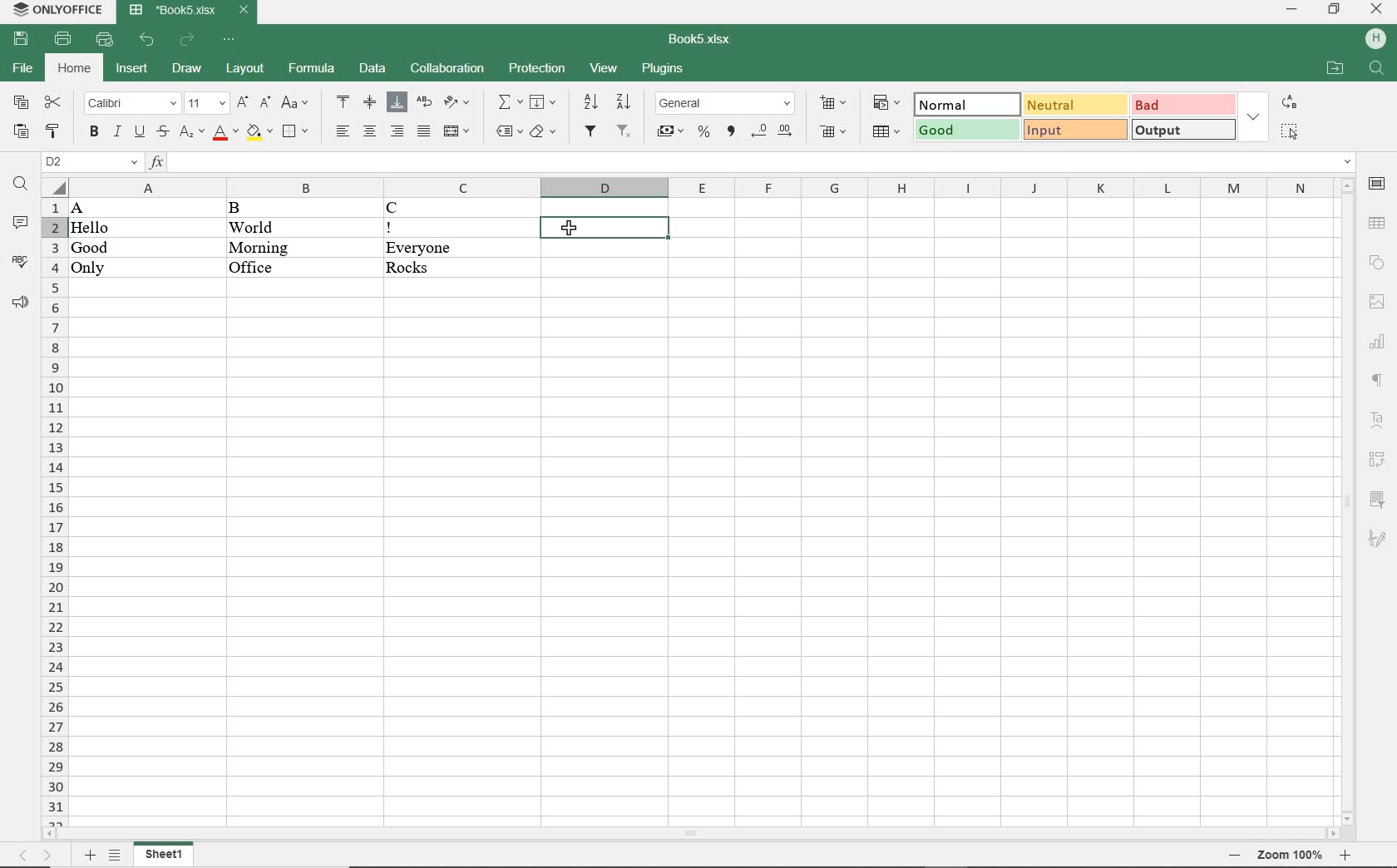 This screenshot has width=1397, height=868. I want to click on SORT ASCENDING, so click(590, 102).